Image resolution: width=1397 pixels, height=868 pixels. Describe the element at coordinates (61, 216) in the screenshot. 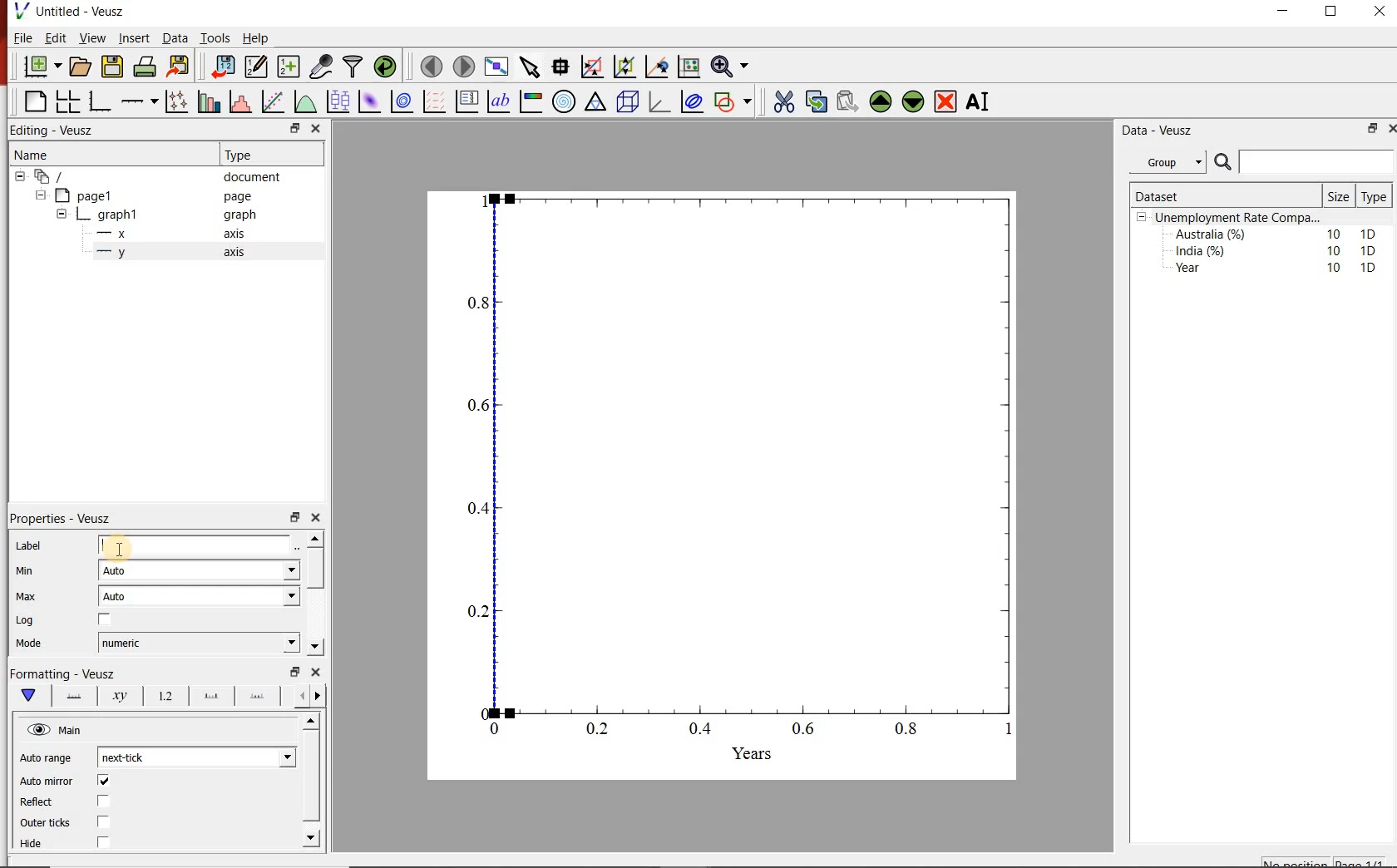

I see `collapse` at that location.